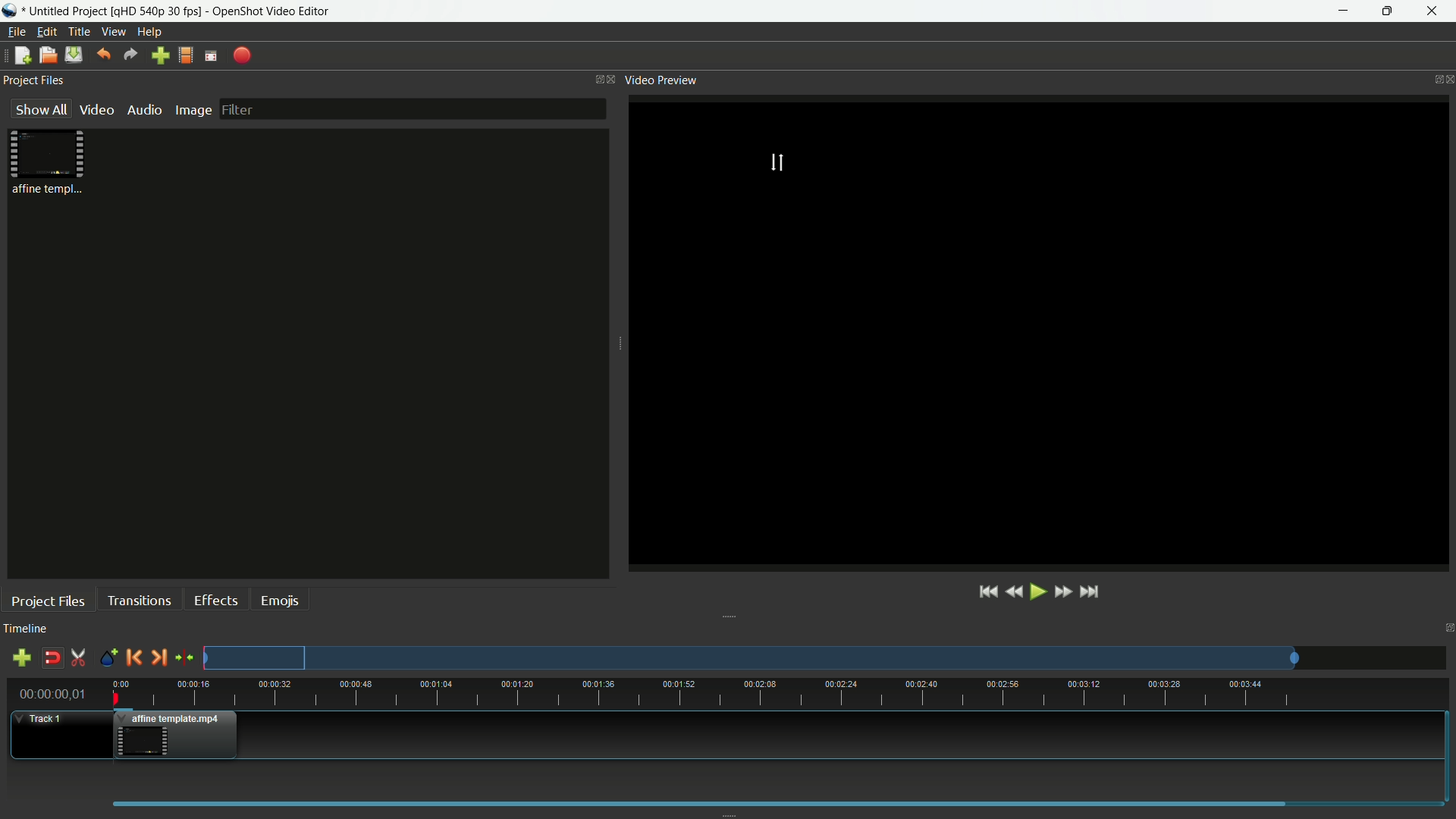  I want to click on redo, so click(131, 55).